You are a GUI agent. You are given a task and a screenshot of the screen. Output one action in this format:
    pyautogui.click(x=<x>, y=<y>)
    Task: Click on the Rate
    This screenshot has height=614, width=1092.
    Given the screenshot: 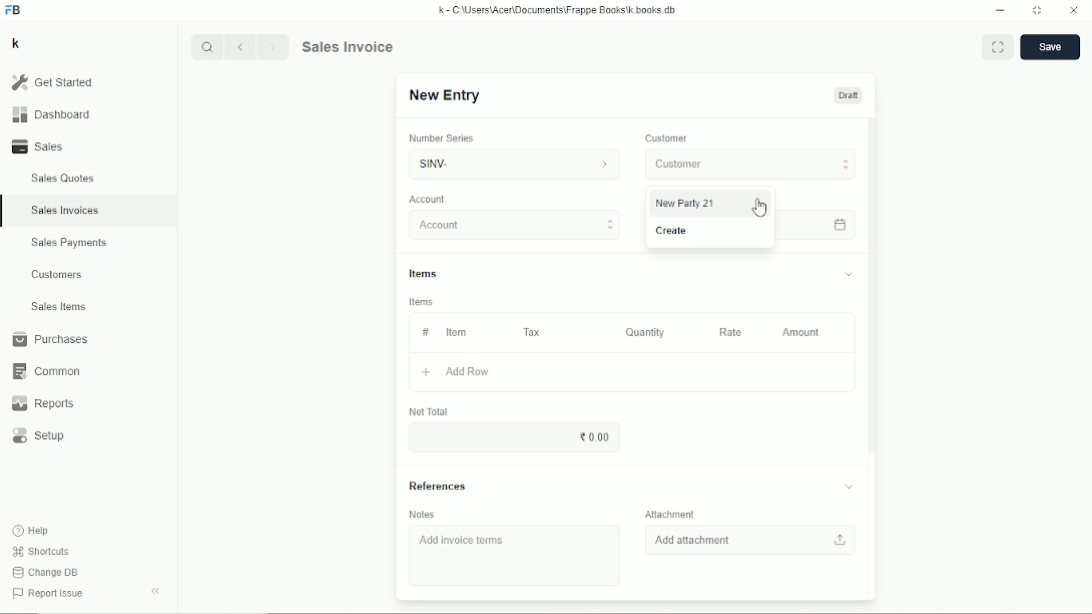 What is the action you would take?
    pyautogui.click(x=730, y=332)
    